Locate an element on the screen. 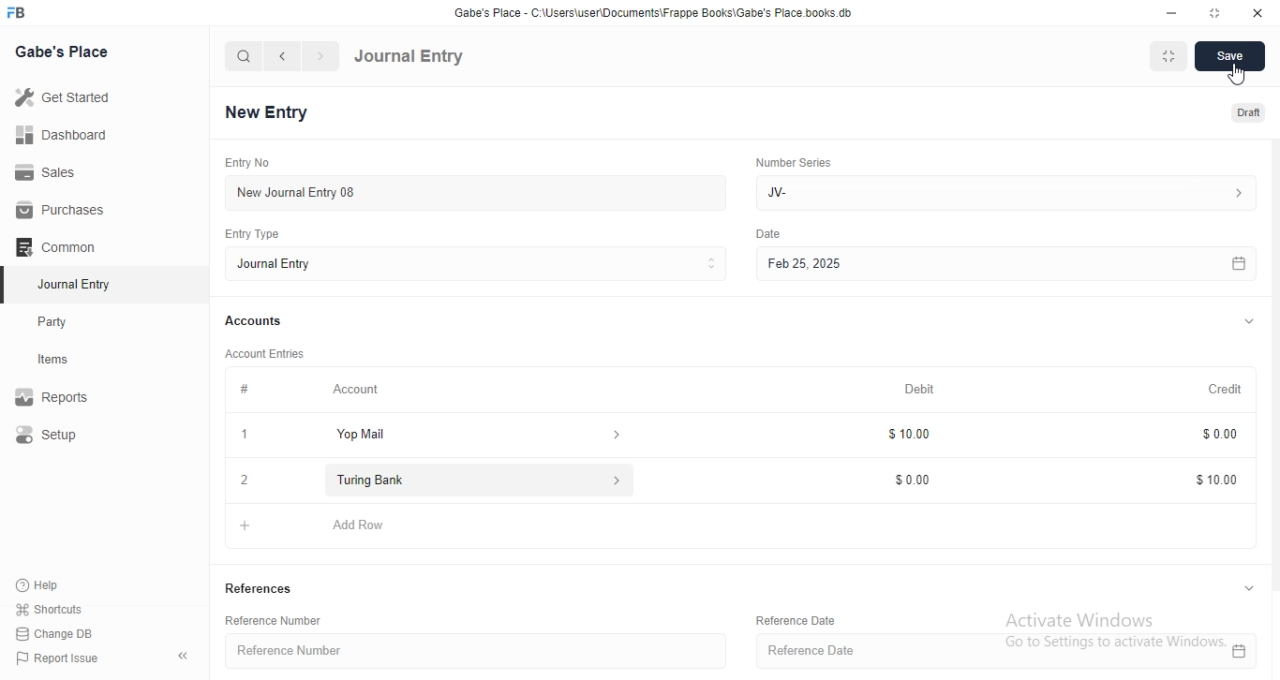  Dashboard is located at coordinates (61, 138).